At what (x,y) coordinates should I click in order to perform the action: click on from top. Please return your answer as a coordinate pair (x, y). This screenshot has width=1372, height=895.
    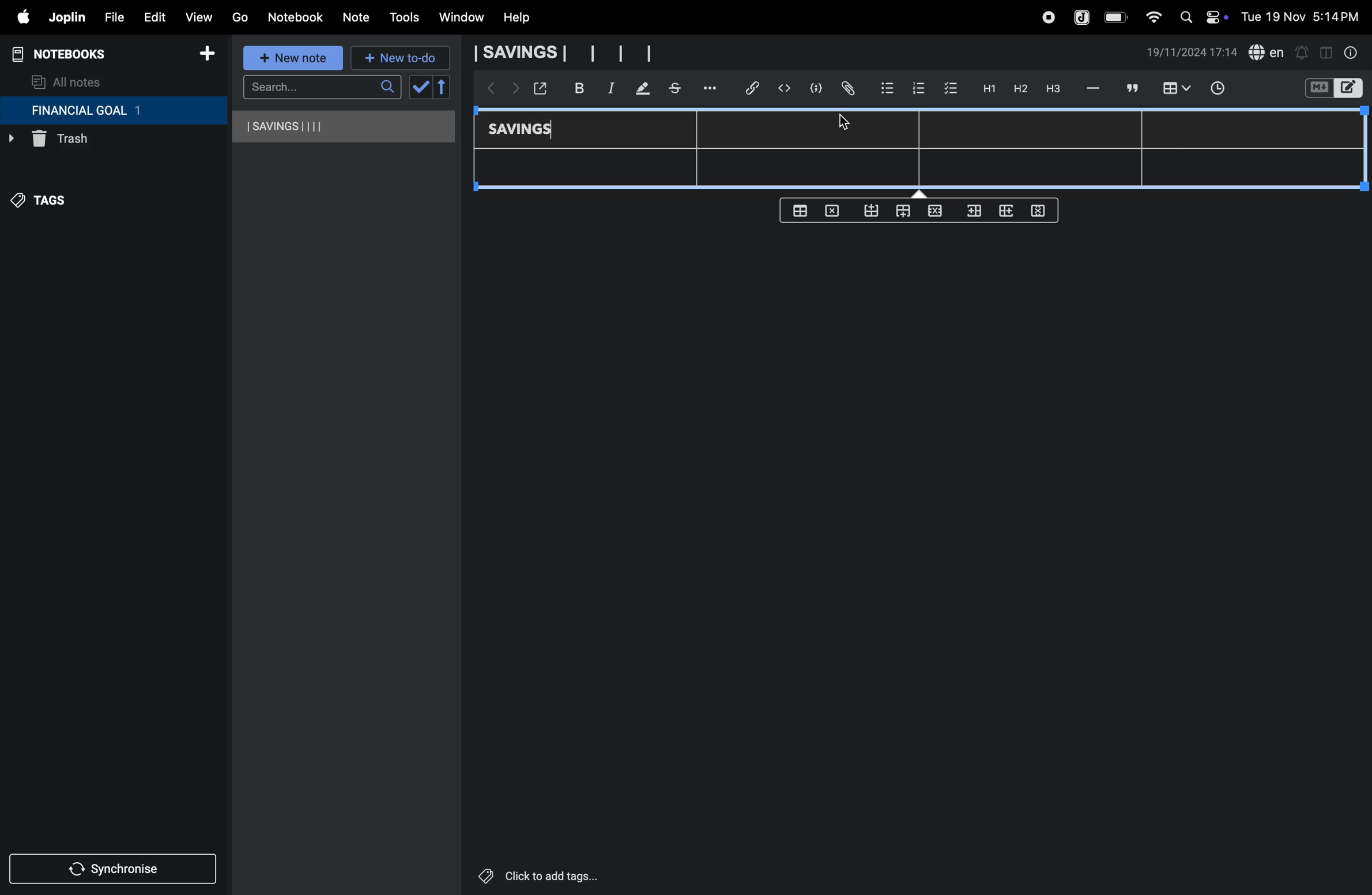
    Looking at the image, I should click on (900, 212).